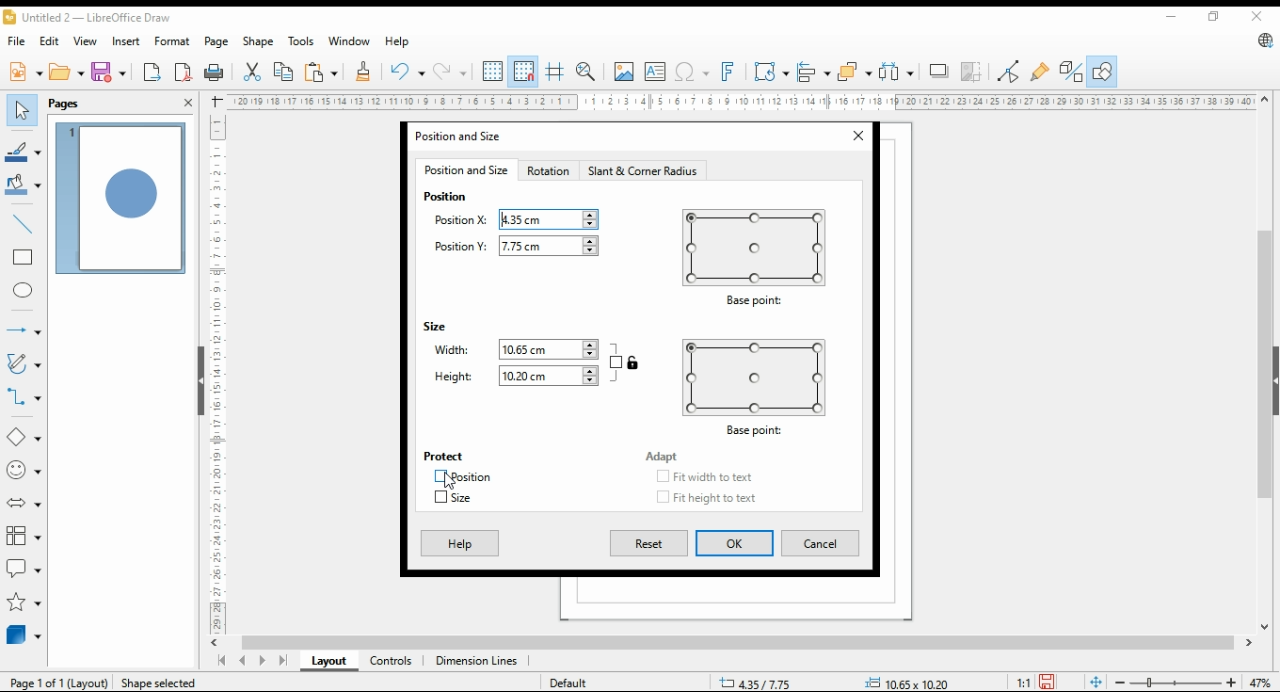  I want to click on 0.00x0.00, so click(904, 683).